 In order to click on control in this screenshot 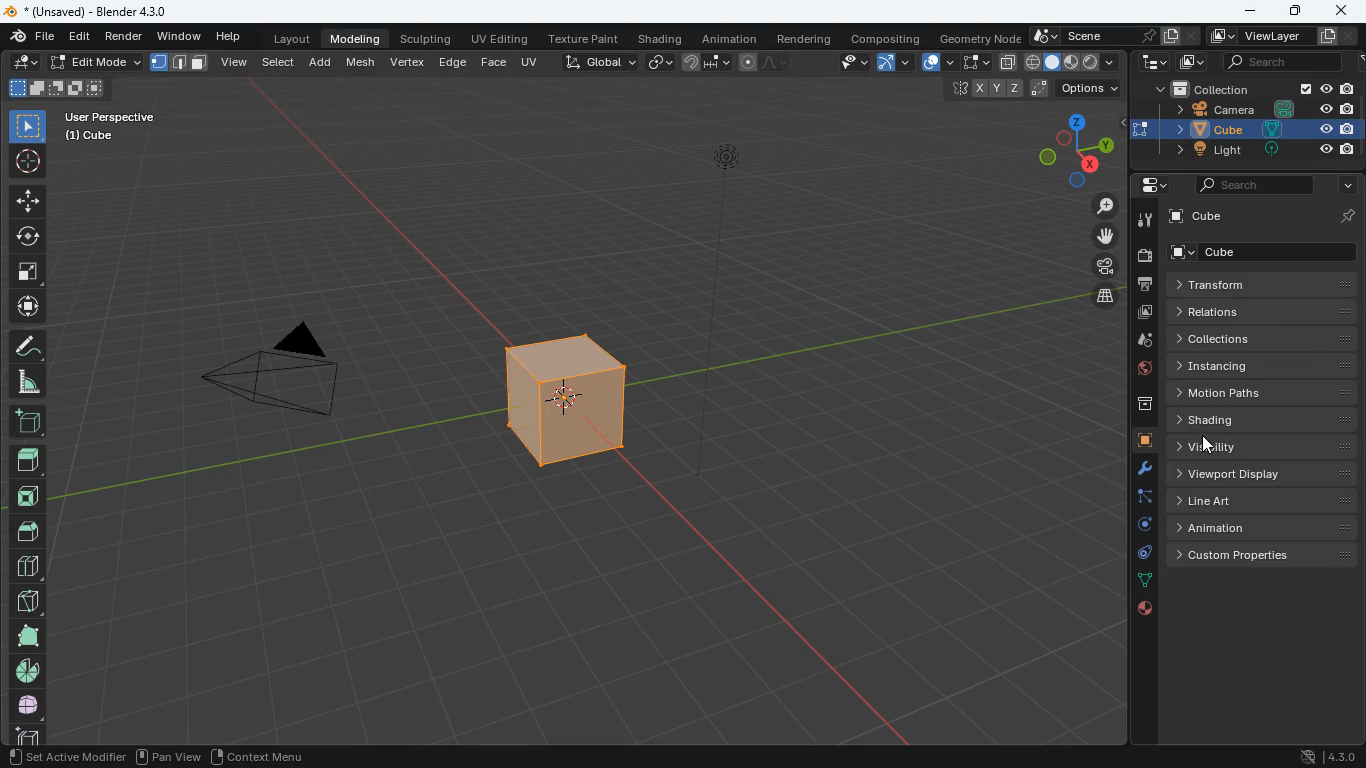, I will do `click(1138, 554)`.